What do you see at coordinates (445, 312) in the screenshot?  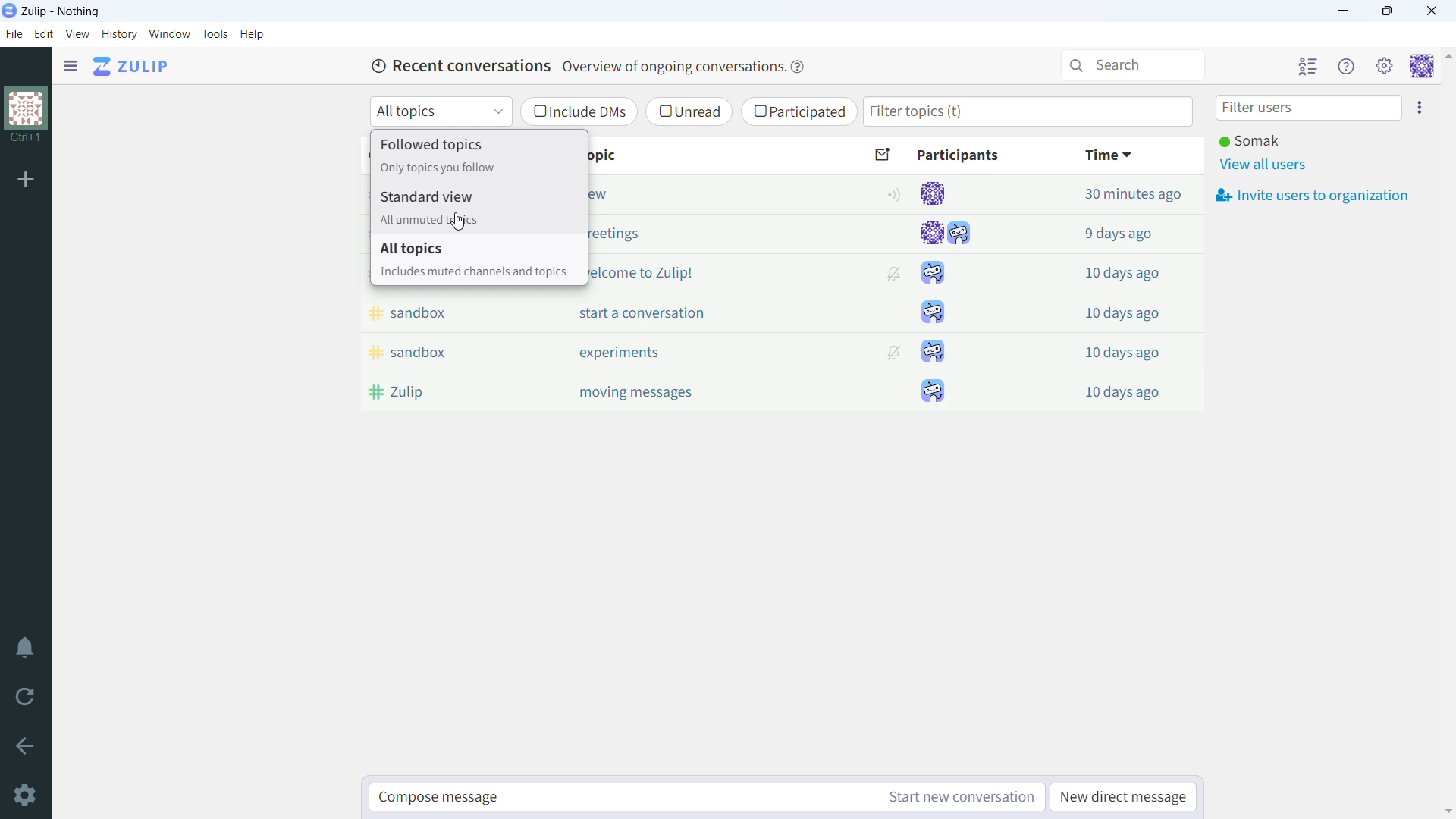 I see `sandbox` at bounding box center [445, 312].